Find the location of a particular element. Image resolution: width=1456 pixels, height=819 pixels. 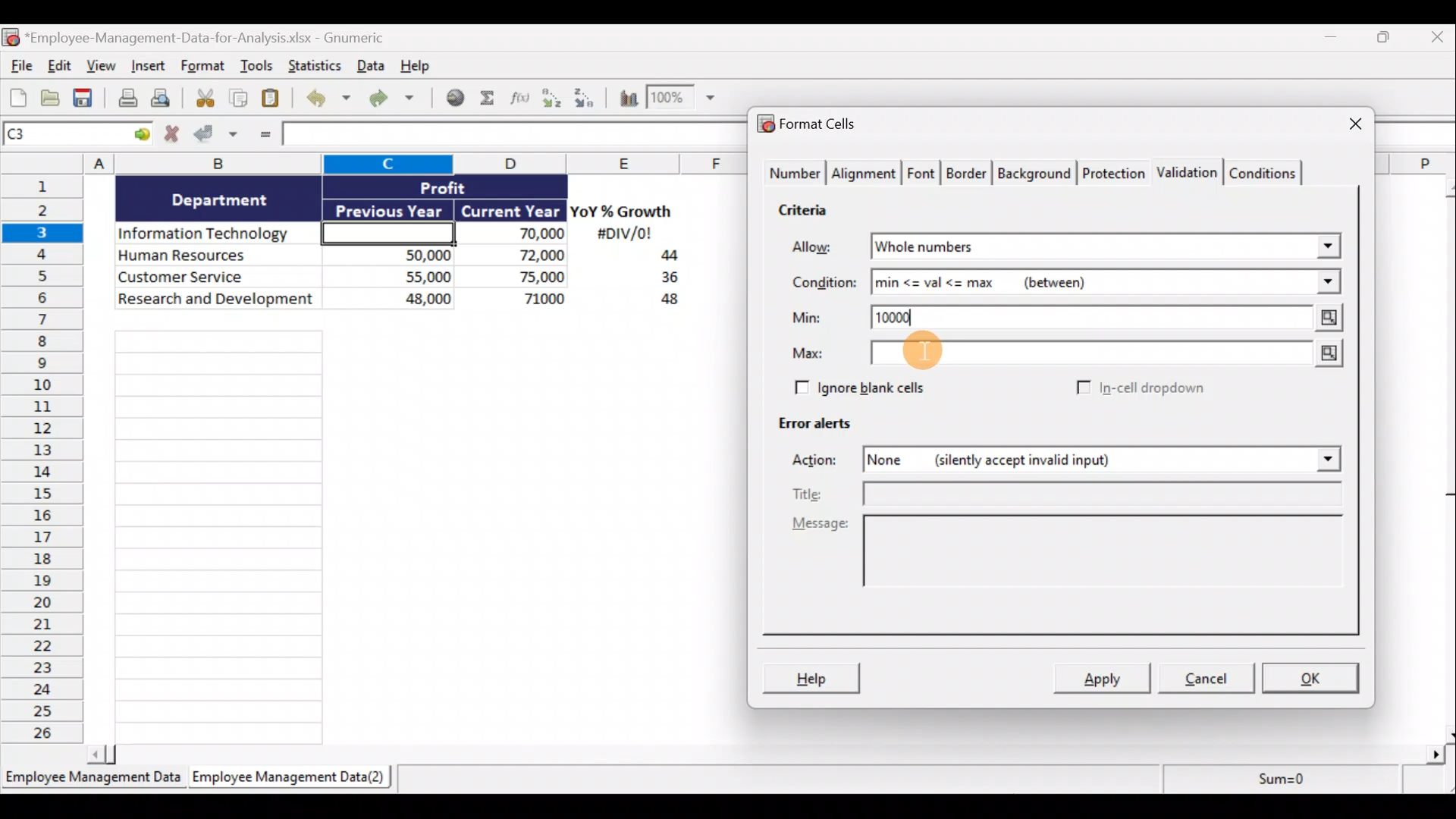

Sum into the current cell is located at coordinates (489, 99).